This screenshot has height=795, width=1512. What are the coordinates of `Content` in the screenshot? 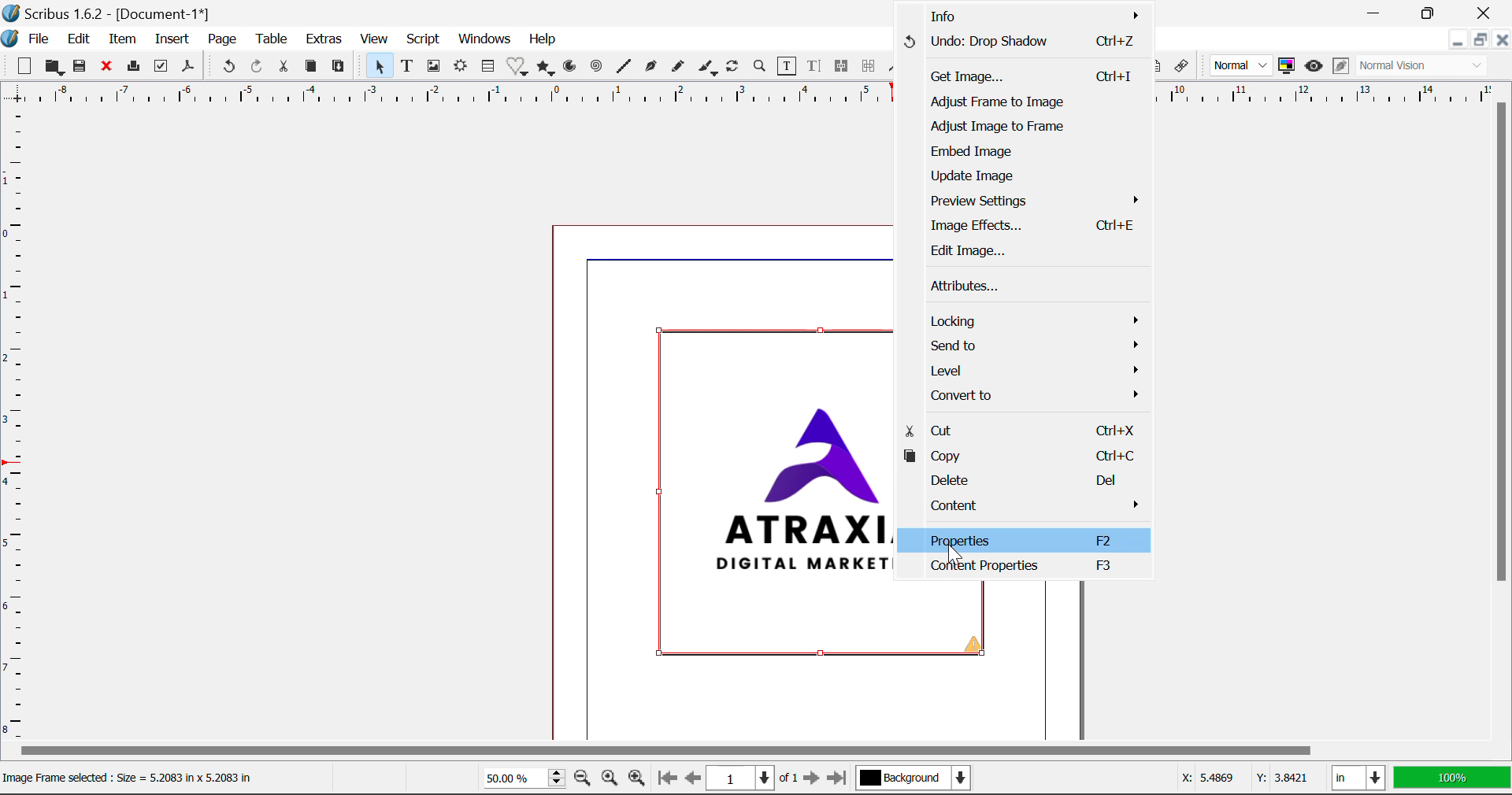 It's located at (1024, 506).